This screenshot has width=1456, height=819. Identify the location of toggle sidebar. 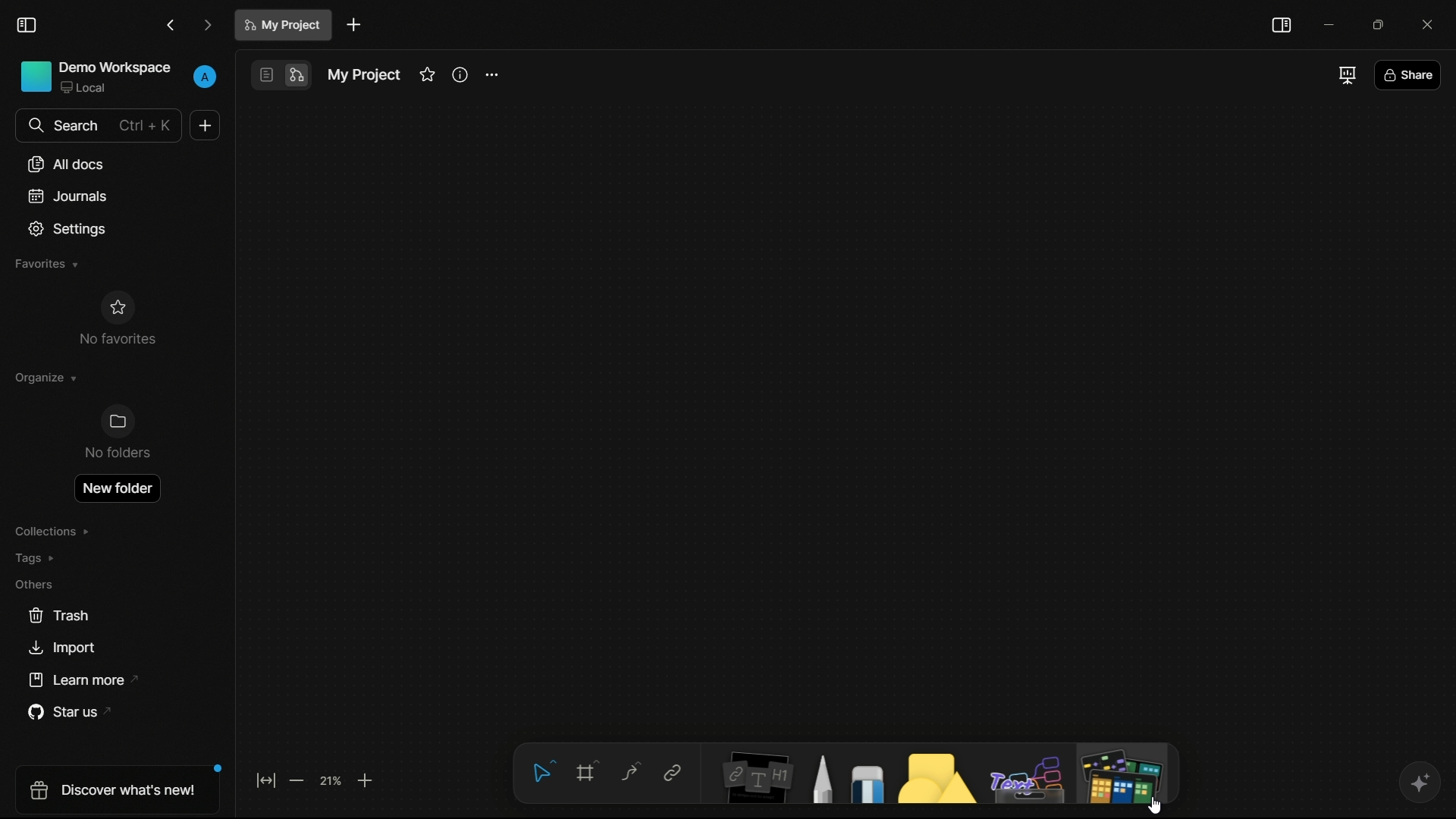
(27, 25).